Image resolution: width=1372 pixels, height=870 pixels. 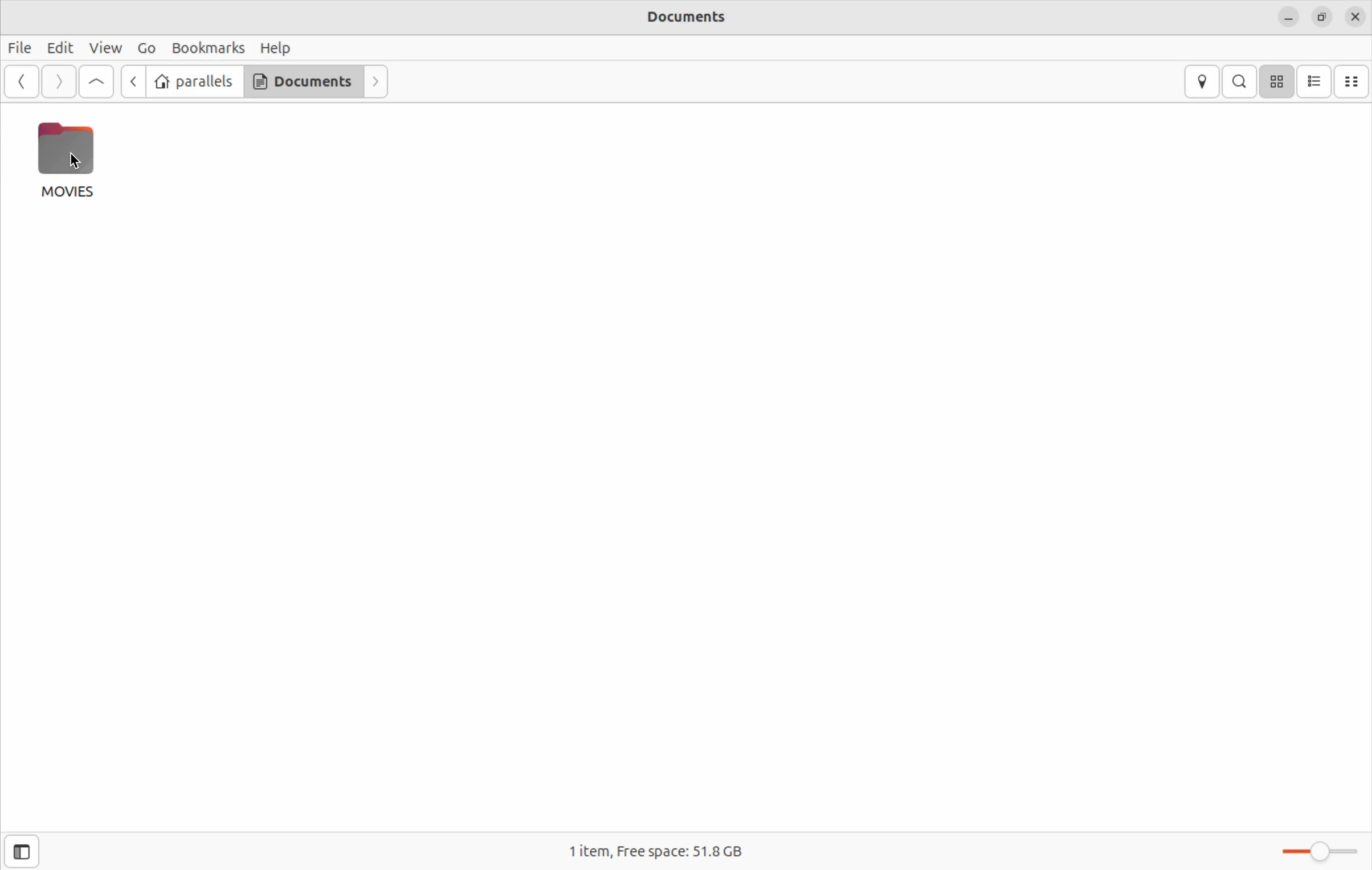 What do you see at coordinates (208, 48) in the screenshot?
I see `Bookmarks` at bounding box center [208, 48].